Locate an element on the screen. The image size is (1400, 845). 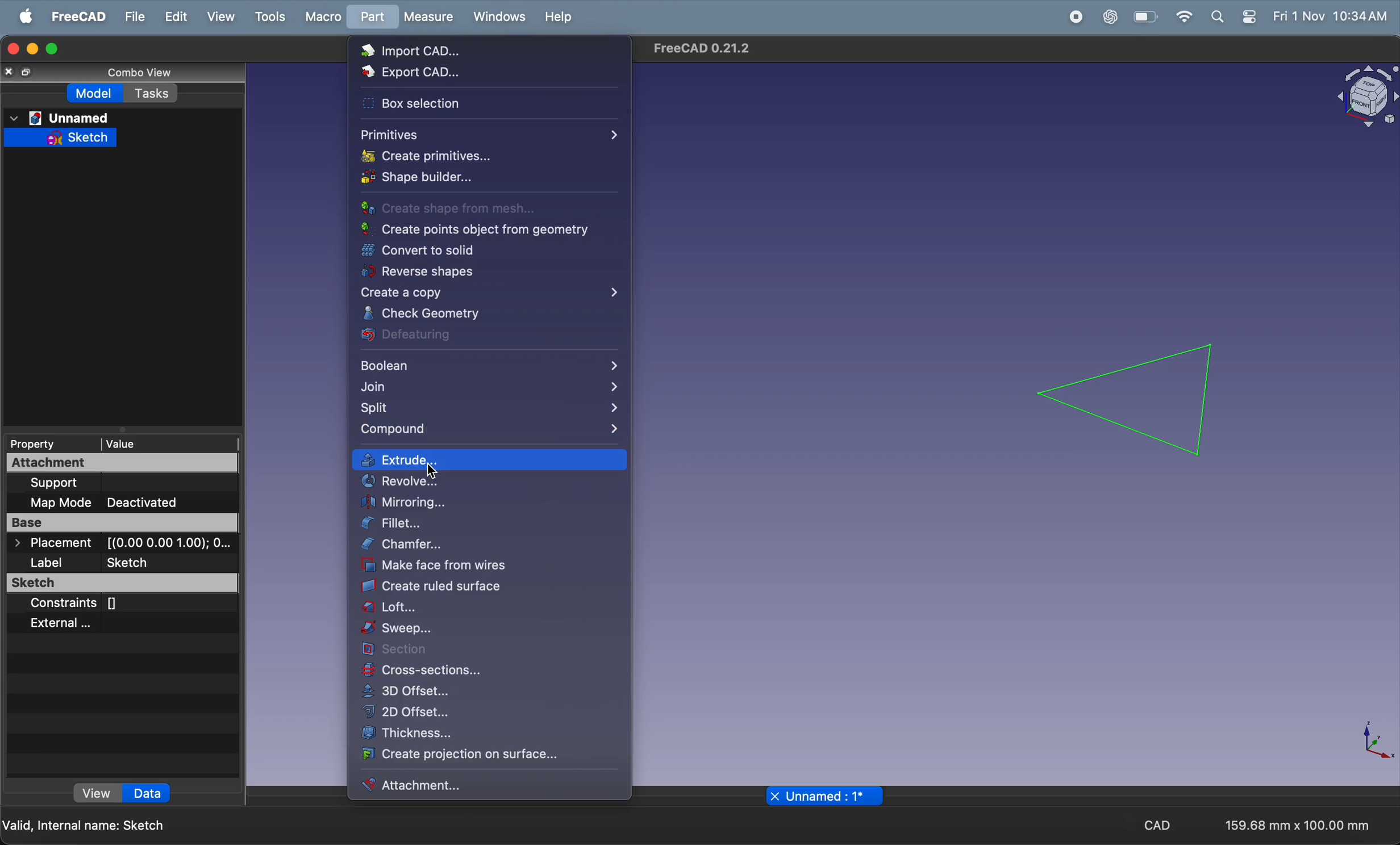
2d trainagle is located at coordinates (1130, 398).